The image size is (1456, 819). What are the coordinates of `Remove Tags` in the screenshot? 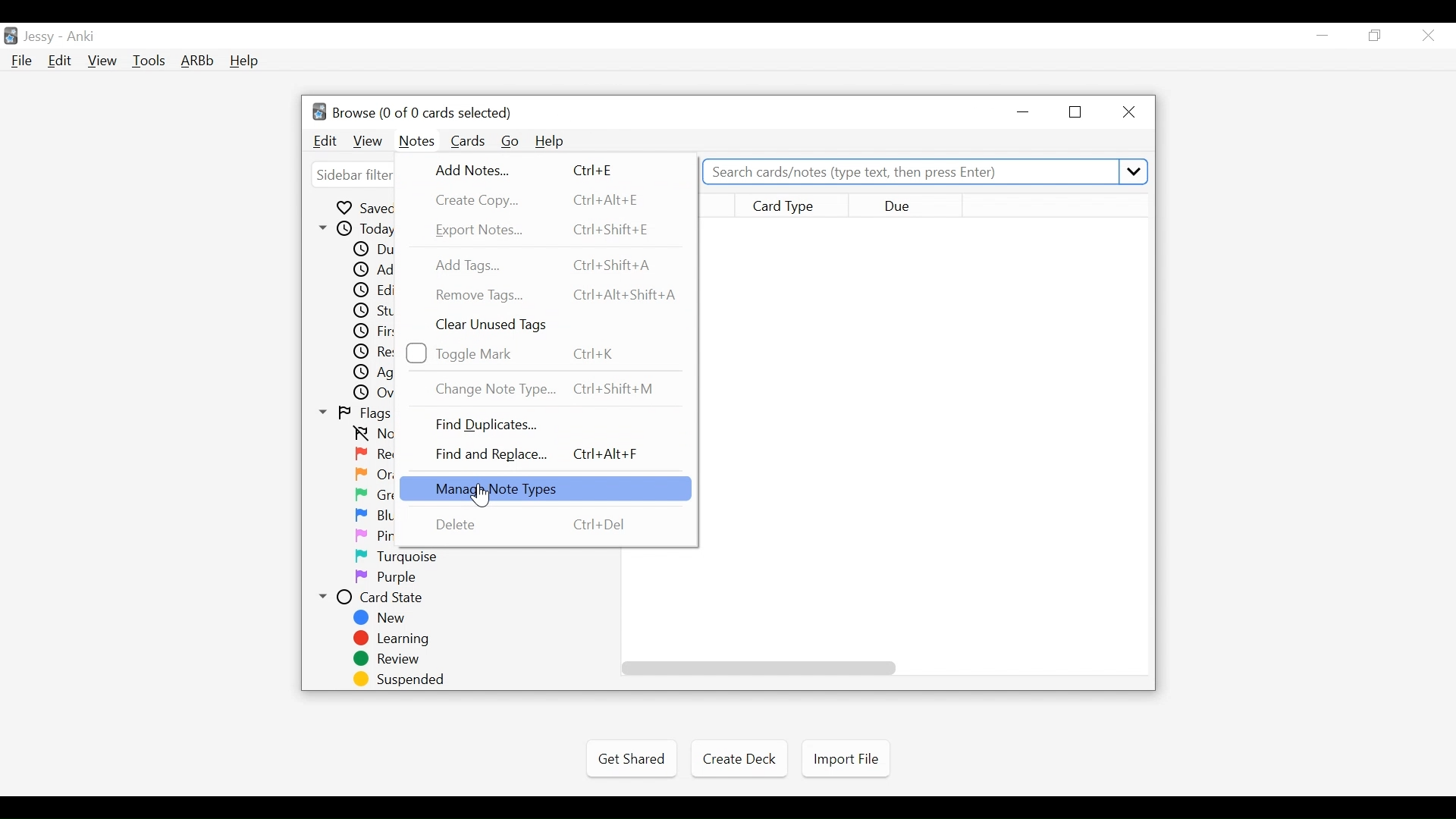 It's located at (556, 295).